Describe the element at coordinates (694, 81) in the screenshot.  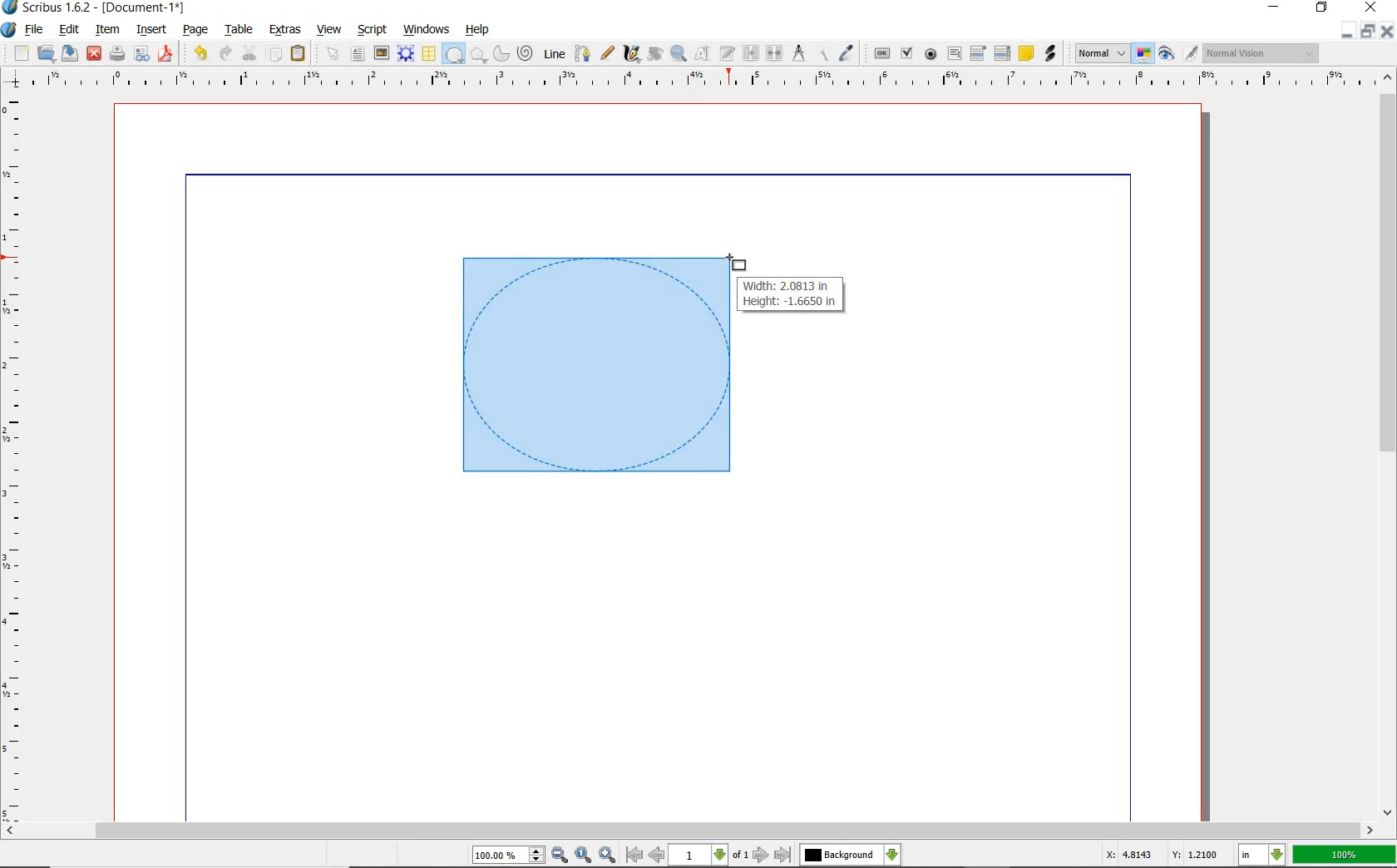
I see `RULER` at that location.